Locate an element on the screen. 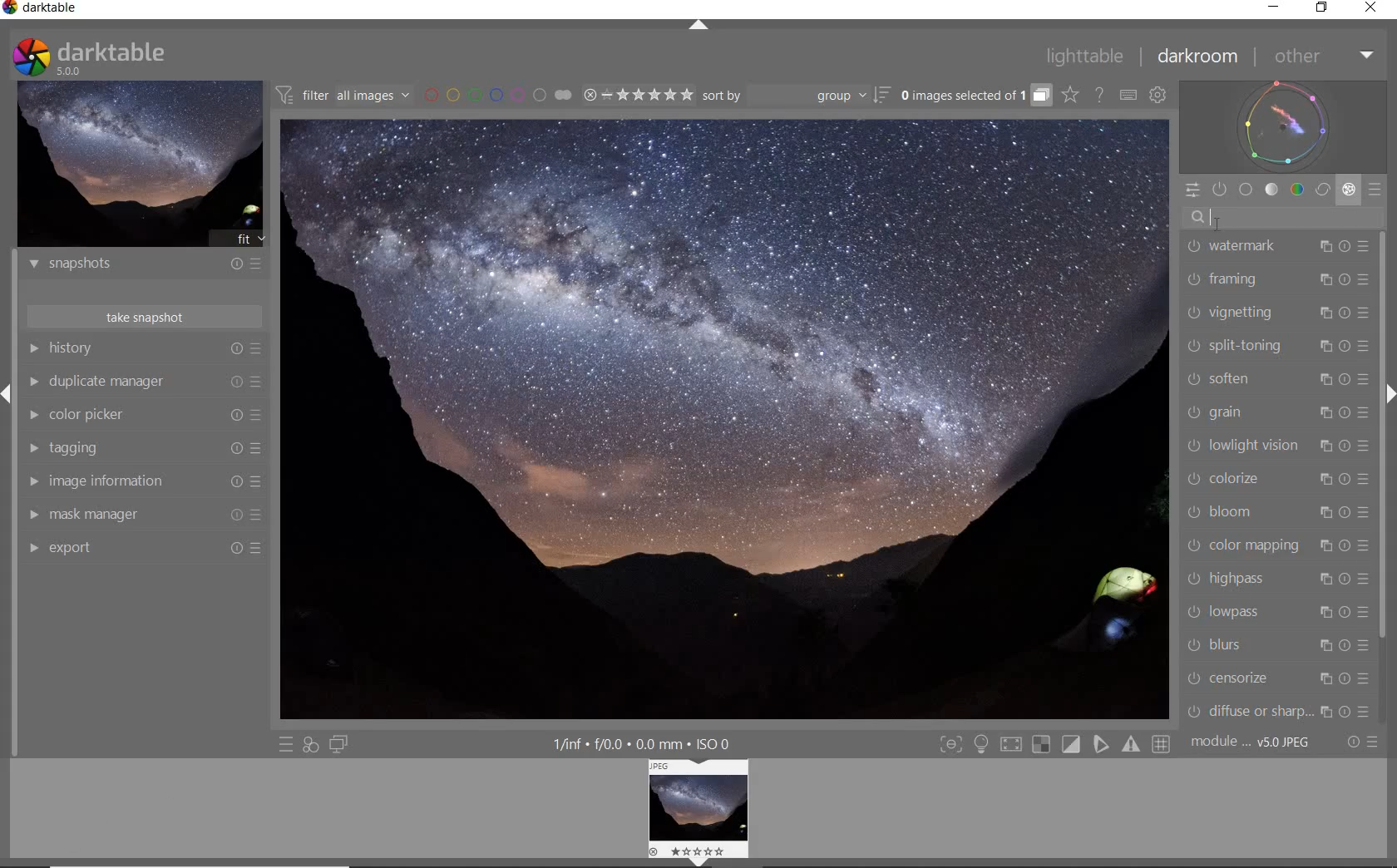 The image size is (1397, 868). LOWPASS is located at coordinates (1228, 612).